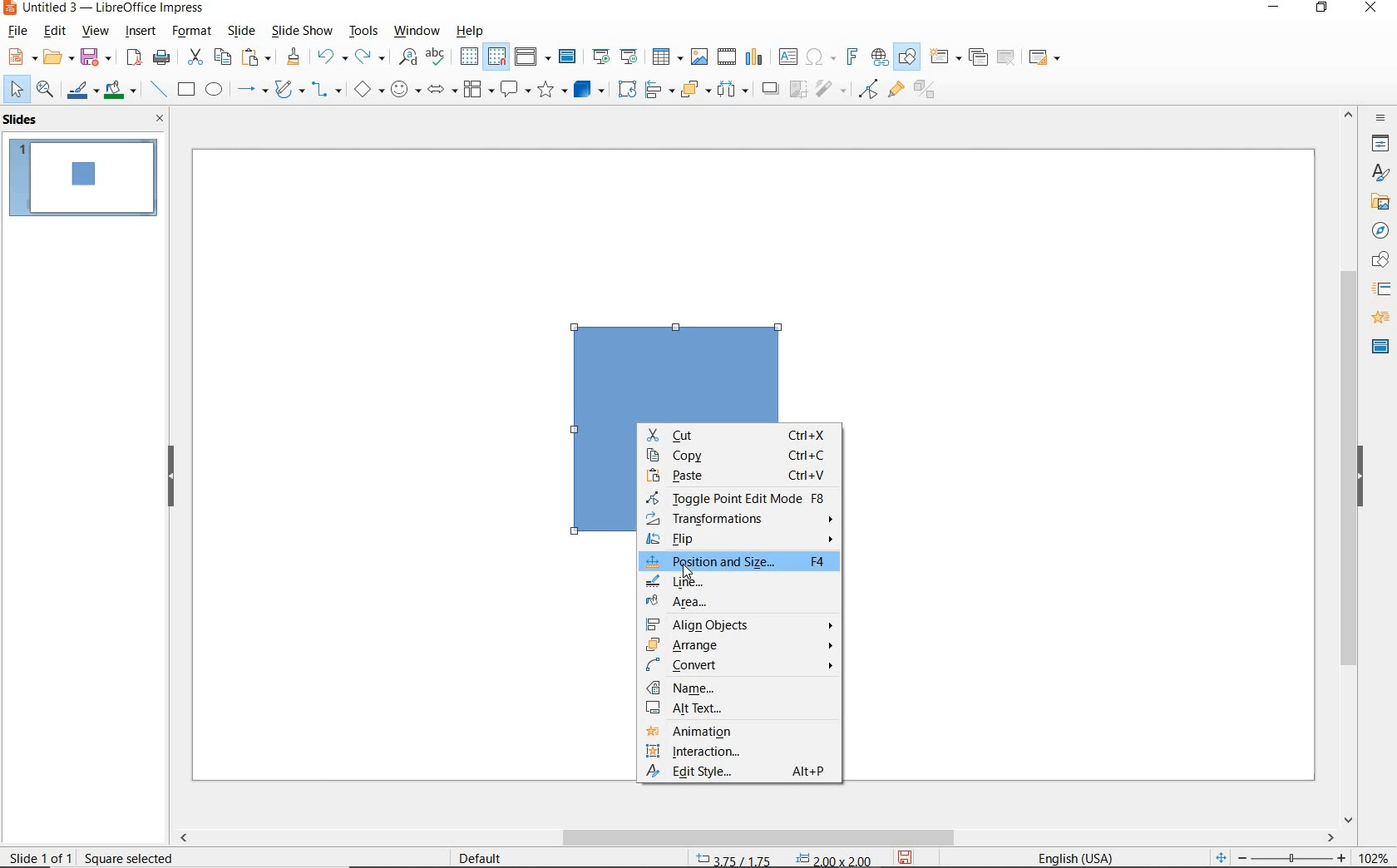 The width and height of the screenshot is (1397, 868). What do you see at coordinates (442, 91) in the screenshot?
I see `block arrows` at bounding box center [442, 91].